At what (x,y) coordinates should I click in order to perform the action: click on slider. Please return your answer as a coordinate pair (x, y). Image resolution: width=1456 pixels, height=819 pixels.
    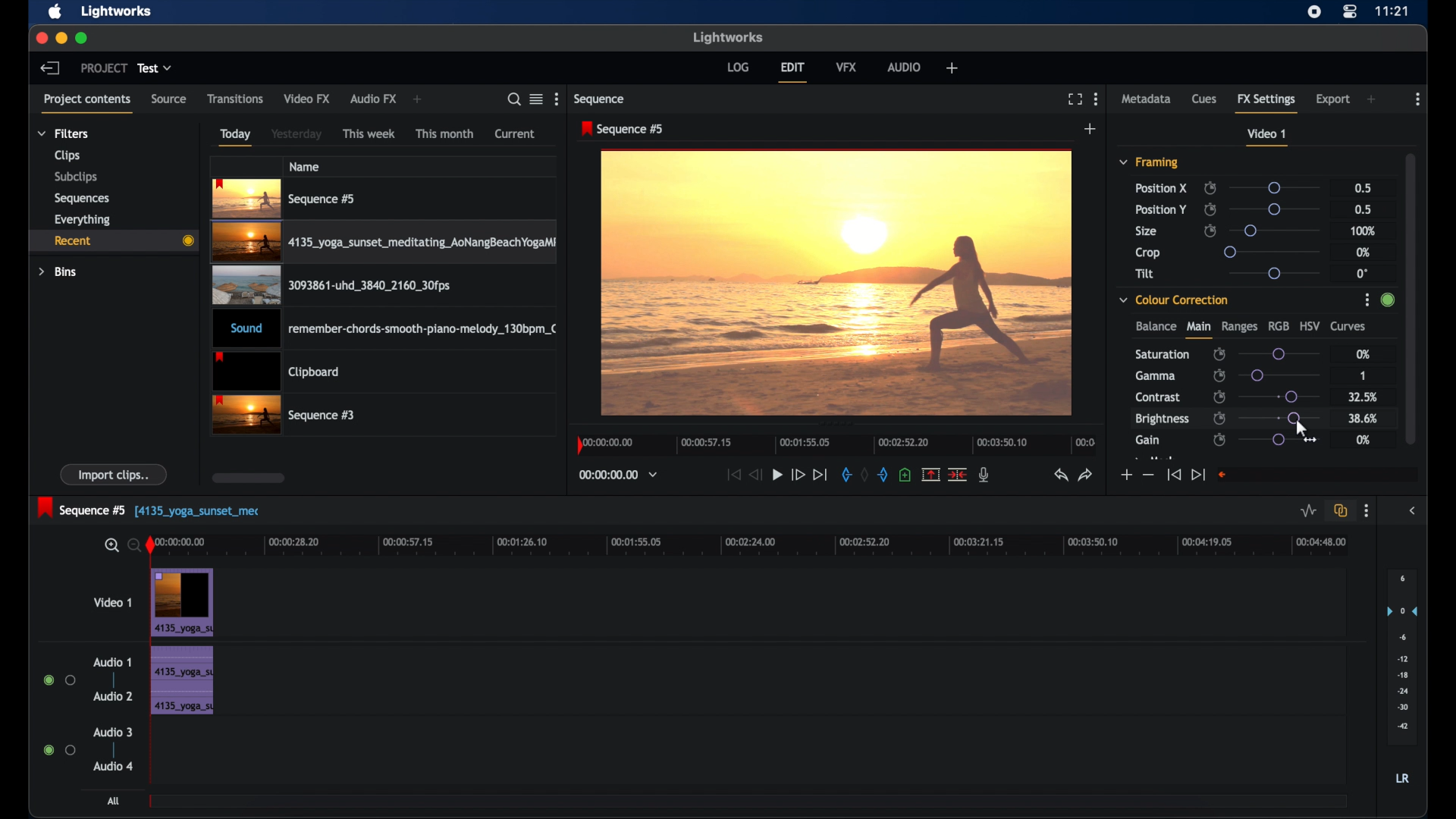
    Looking at the image, I should click on (1276, 209).